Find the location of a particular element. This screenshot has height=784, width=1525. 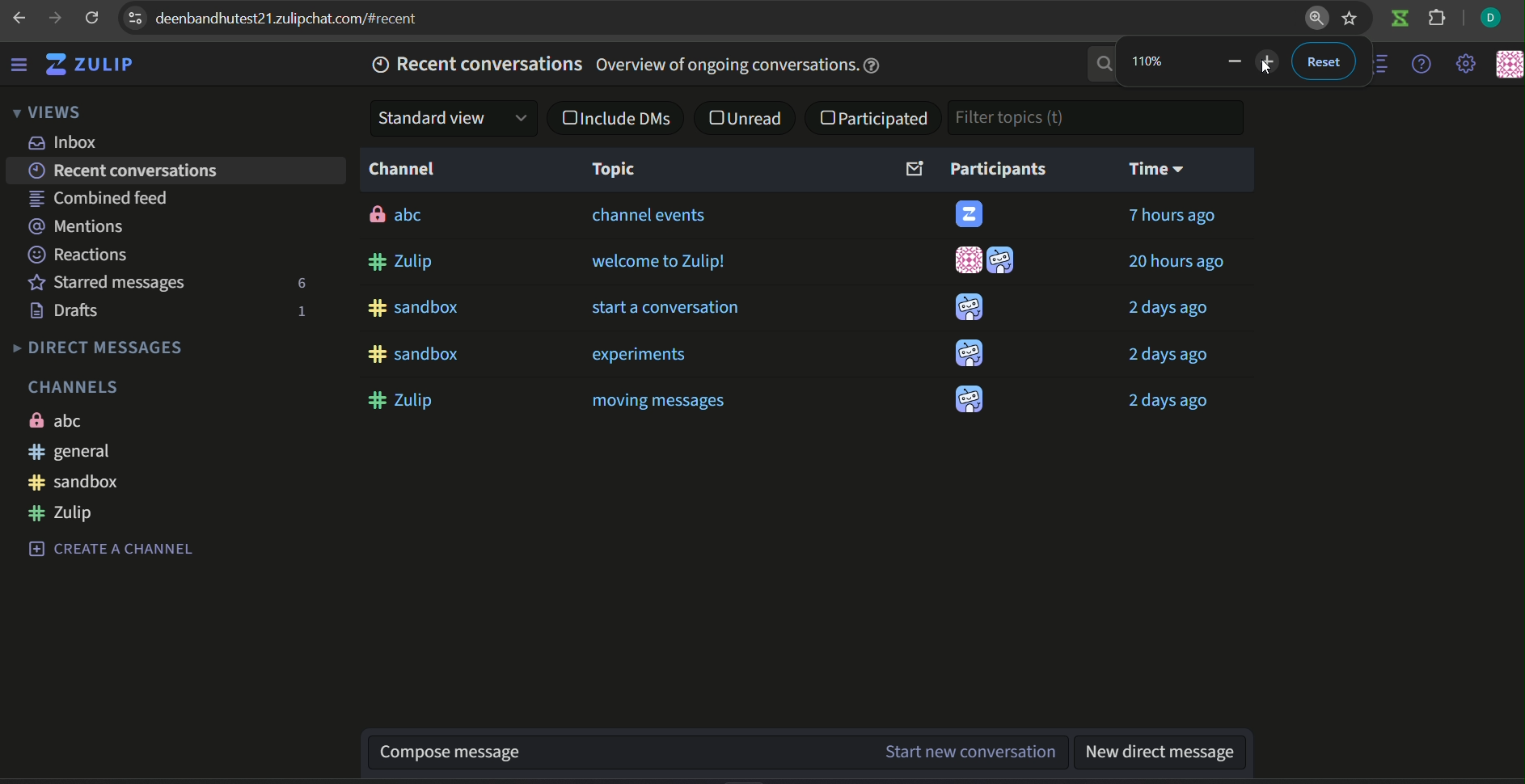

previous page is located at coordinates (21, 18).